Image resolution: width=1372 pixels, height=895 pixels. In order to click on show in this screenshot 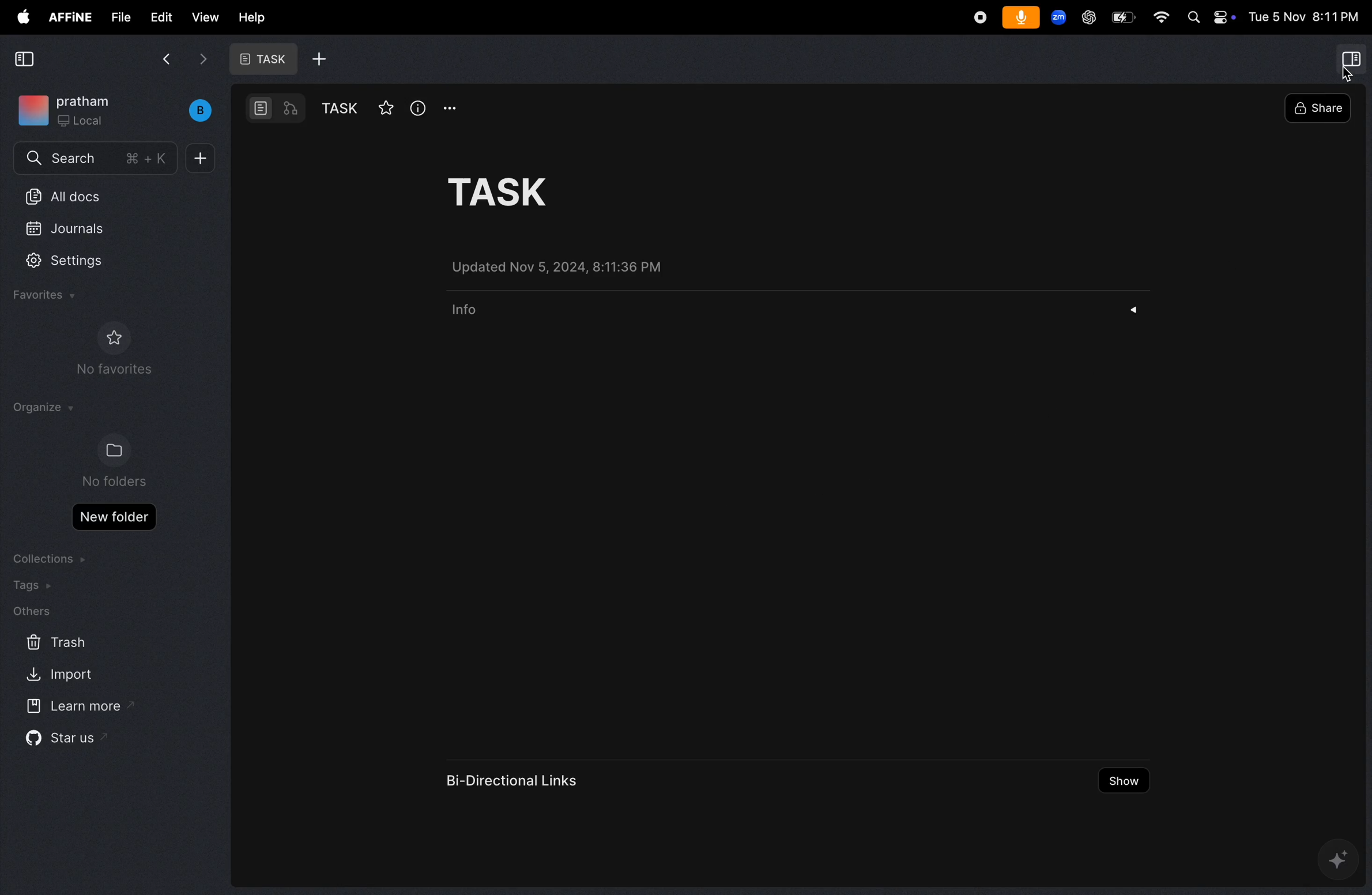, I will do `click(1120, 779)`.